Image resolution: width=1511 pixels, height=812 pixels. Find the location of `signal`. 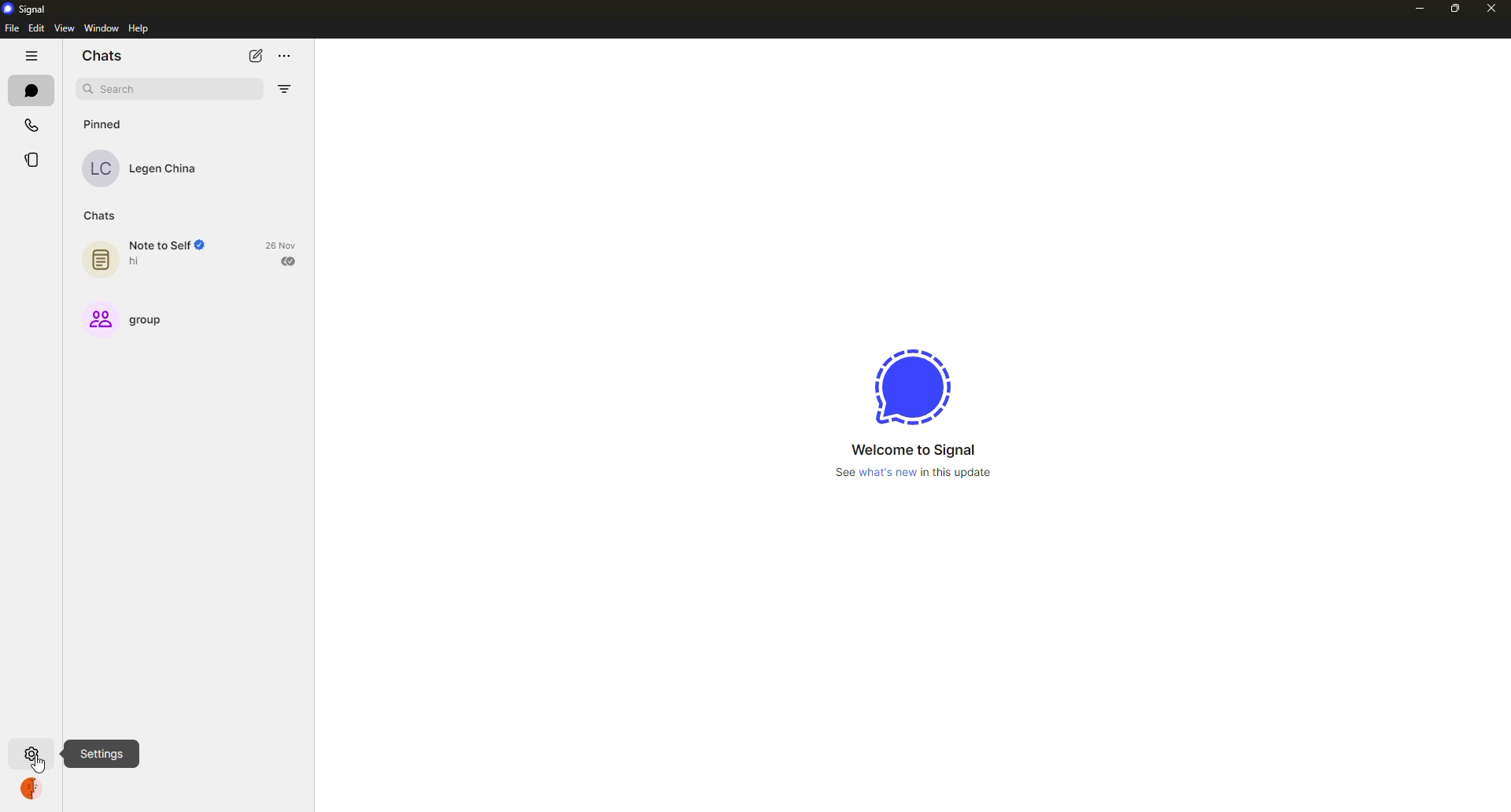

signal is located at coordinates (21, 9).